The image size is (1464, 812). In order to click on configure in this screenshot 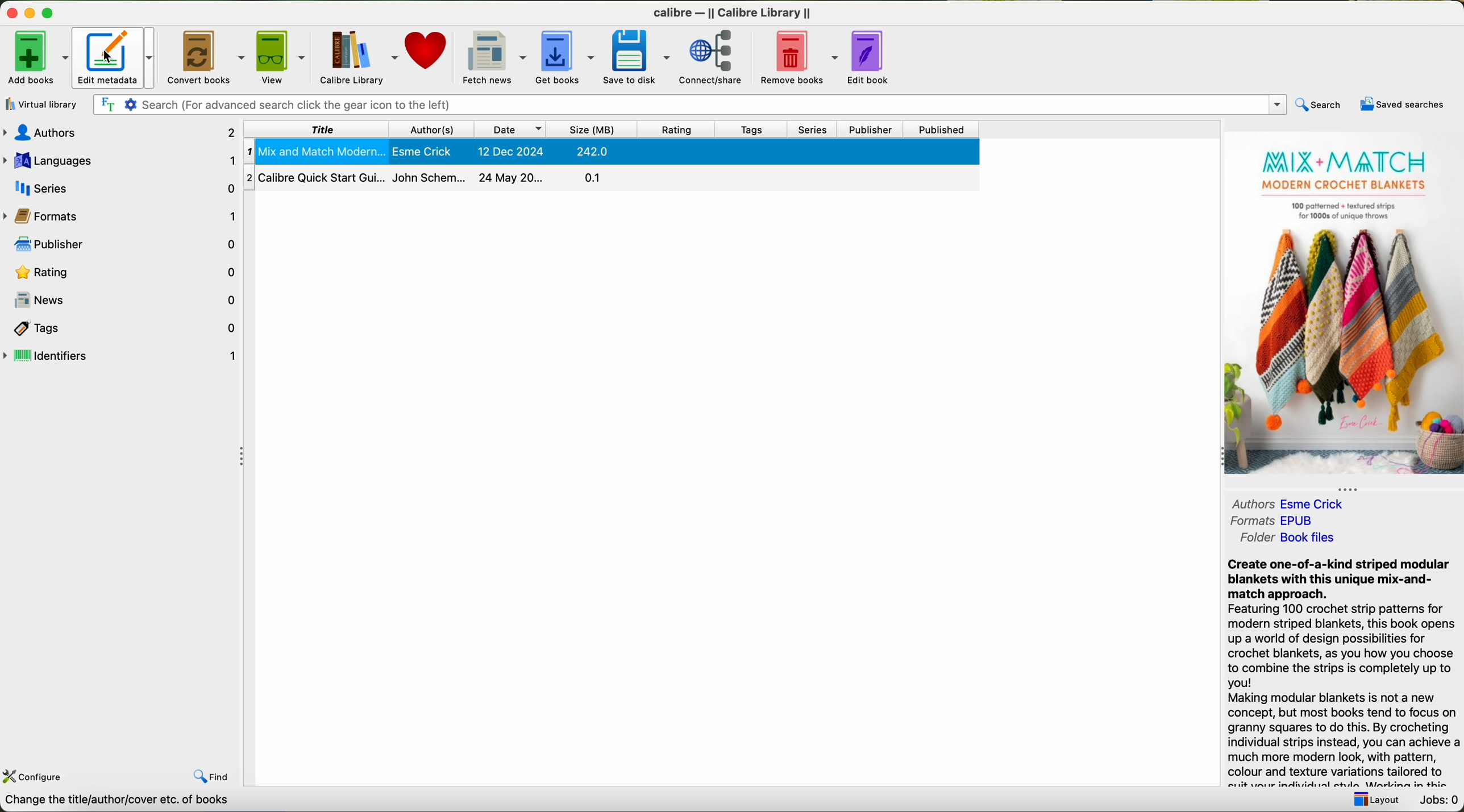, I will do `click(33, 777)`.